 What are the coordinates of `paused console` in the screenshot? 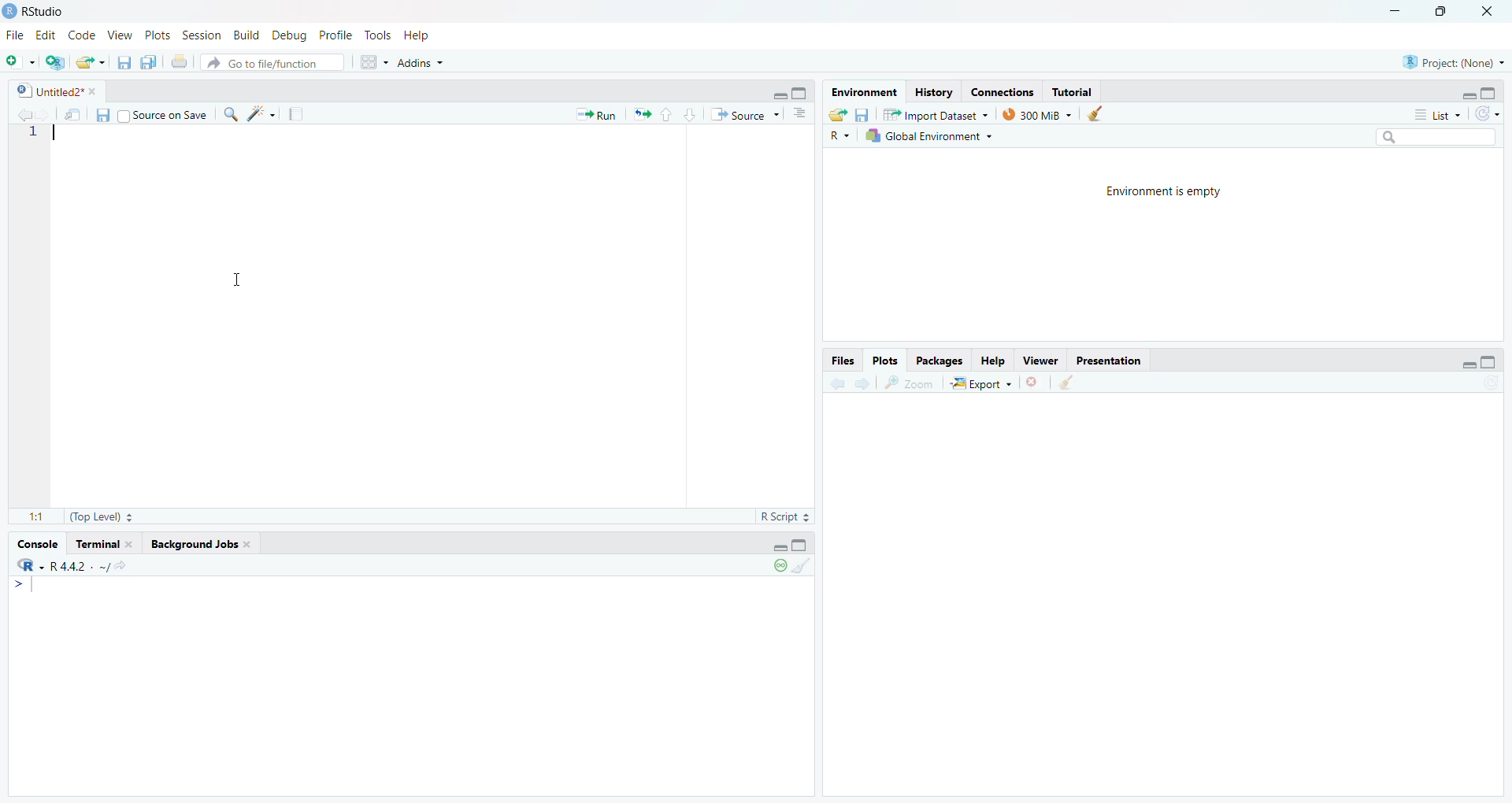 It's located at (779, 564).